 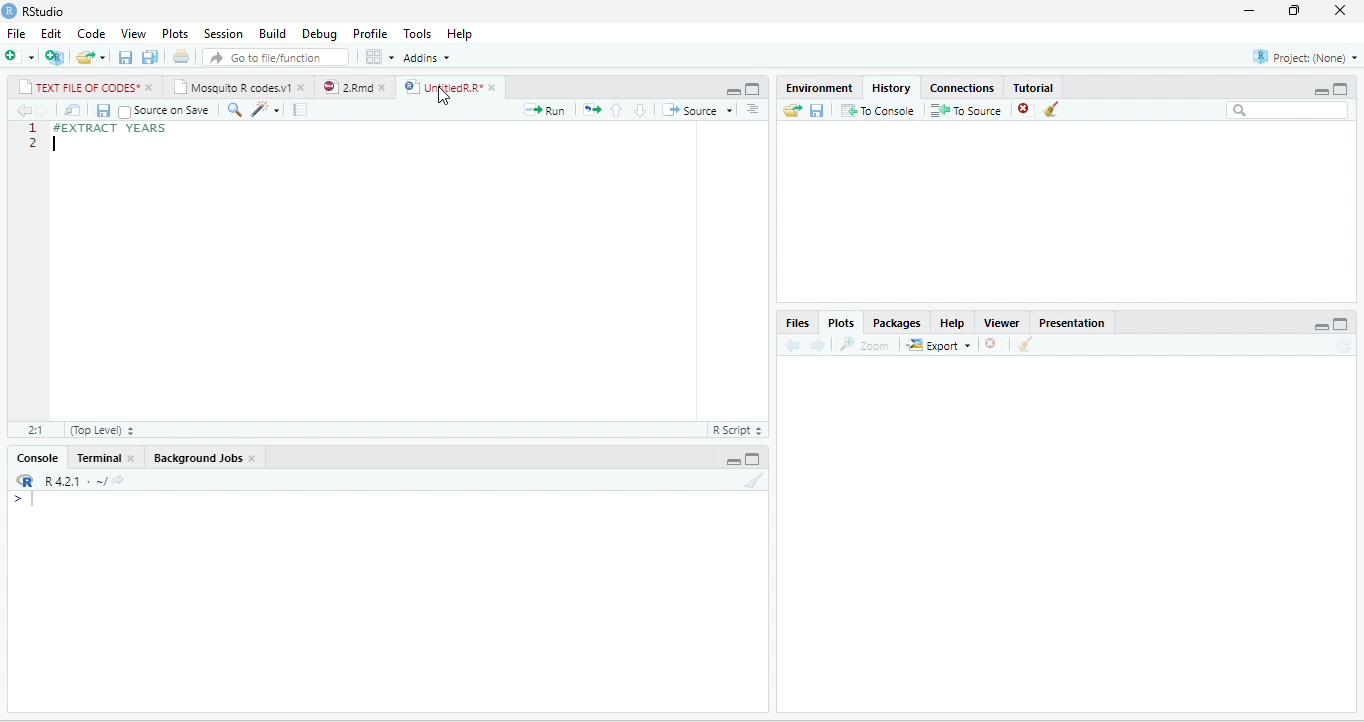 What do you see at coordinates (132, 457) in the screenshot?
I see `close` at bounding box center [132, 457].